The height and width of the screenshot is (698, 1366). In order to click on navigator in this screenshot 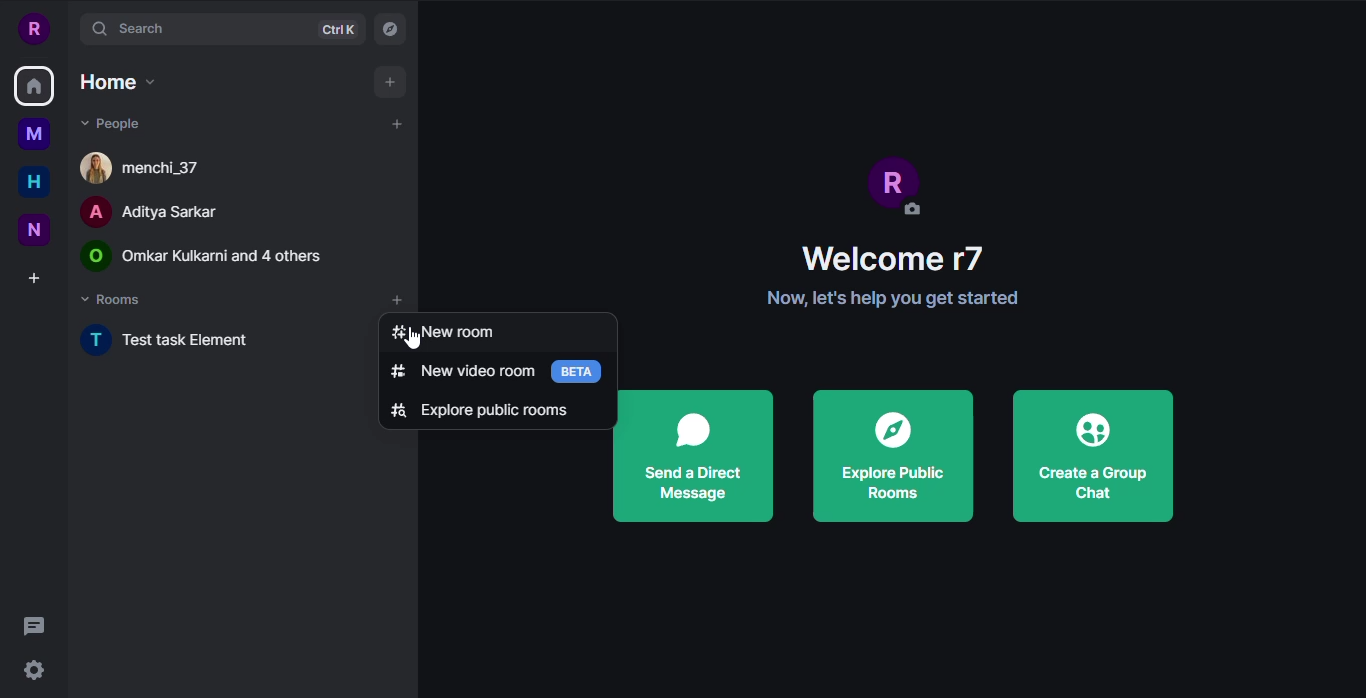, I will do `click(391, 31)`.